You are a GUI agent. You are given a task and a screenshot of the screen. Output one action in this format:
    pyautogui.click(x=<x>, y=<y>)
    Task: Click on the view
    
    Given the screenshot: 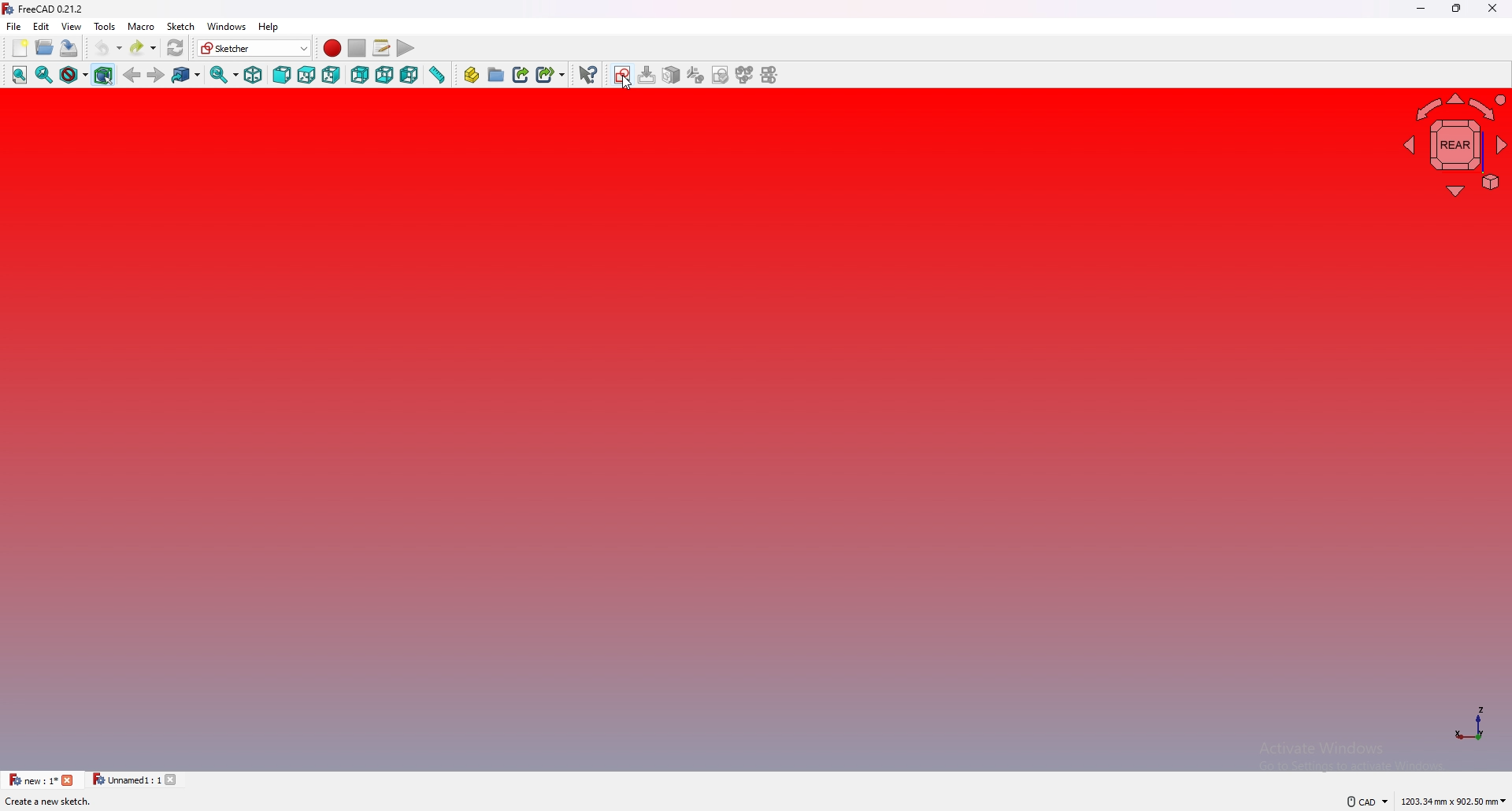 What is the action you would take?
    pyautogui.click(x=72, y=25)
    